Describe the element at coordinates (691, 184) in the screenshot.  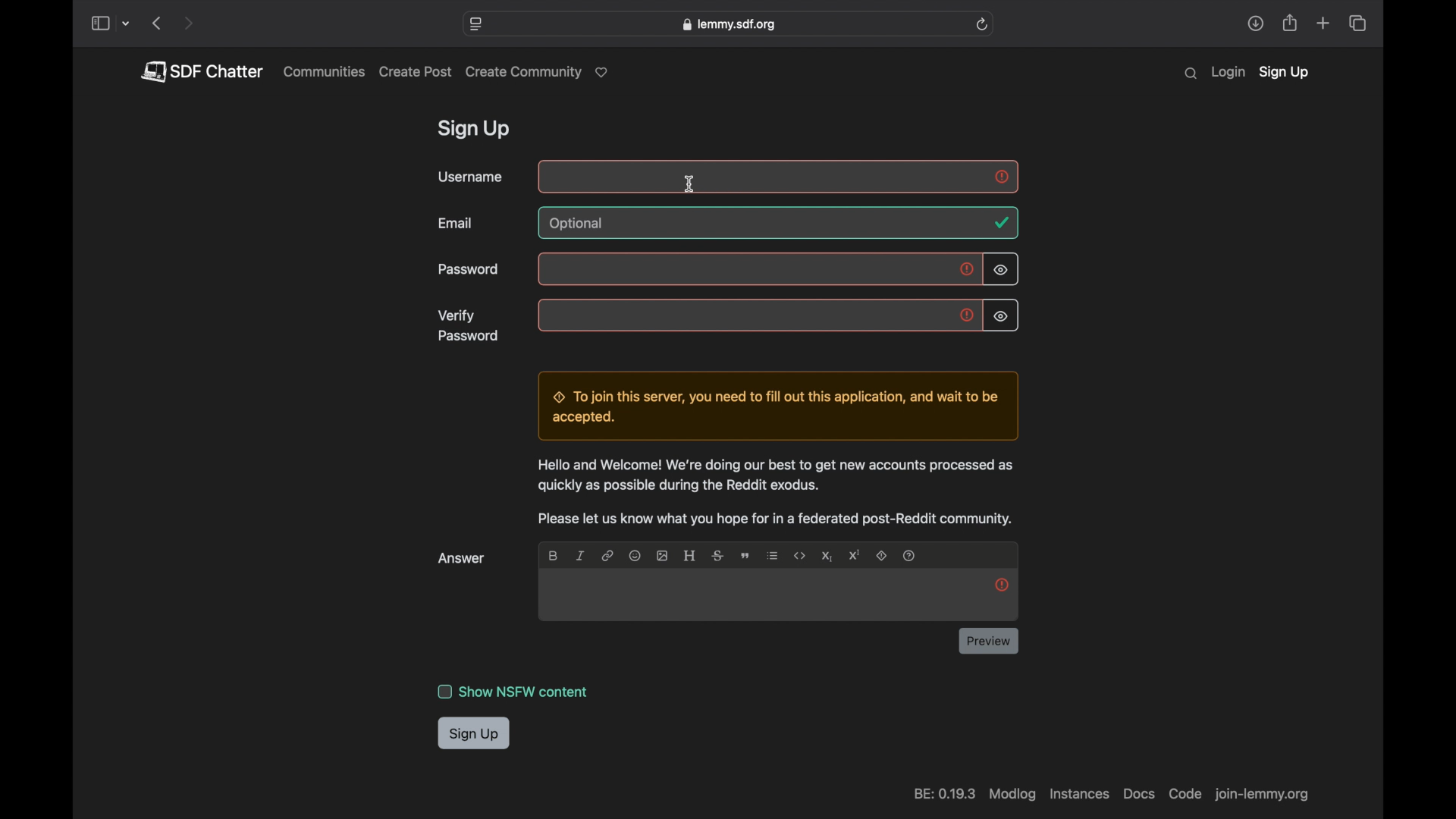
I see `i beam cursor` at that location.